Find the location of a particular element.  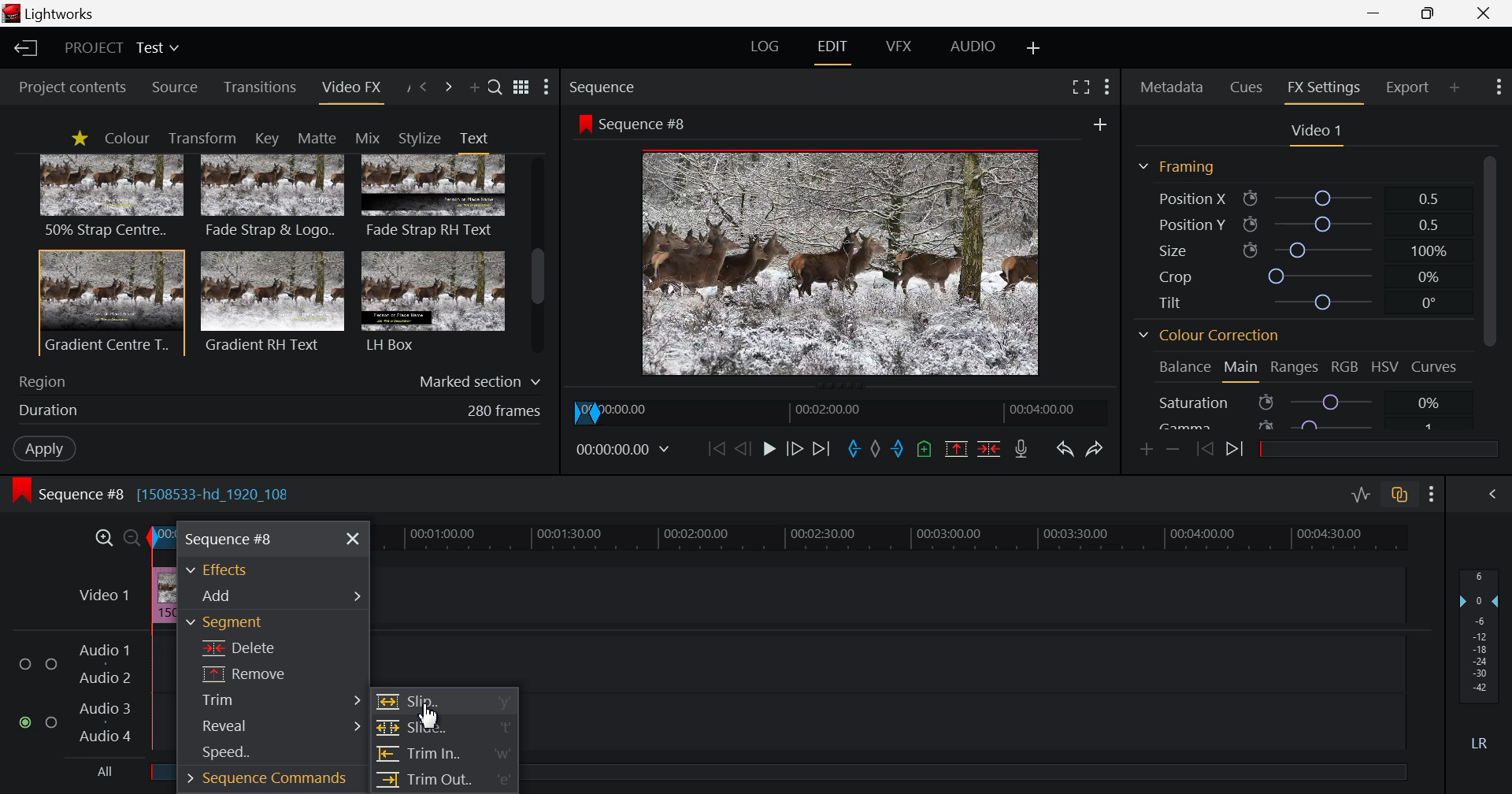

Favorites is located at coordinates (79, 138).